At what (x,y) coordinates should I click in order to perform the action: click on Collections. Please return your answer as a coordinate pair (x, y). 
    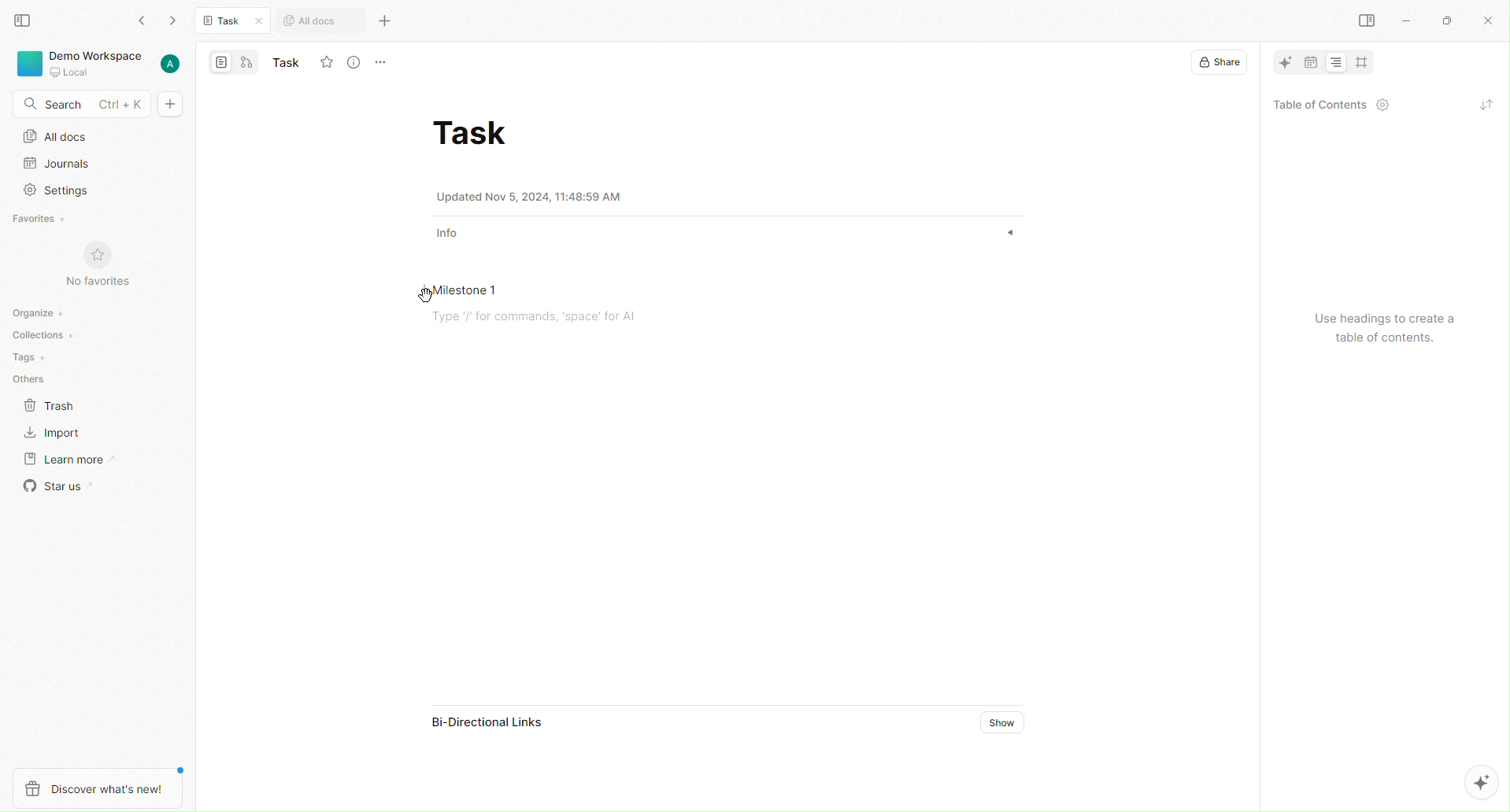
    Looking at the image, I should click on (40, 334).